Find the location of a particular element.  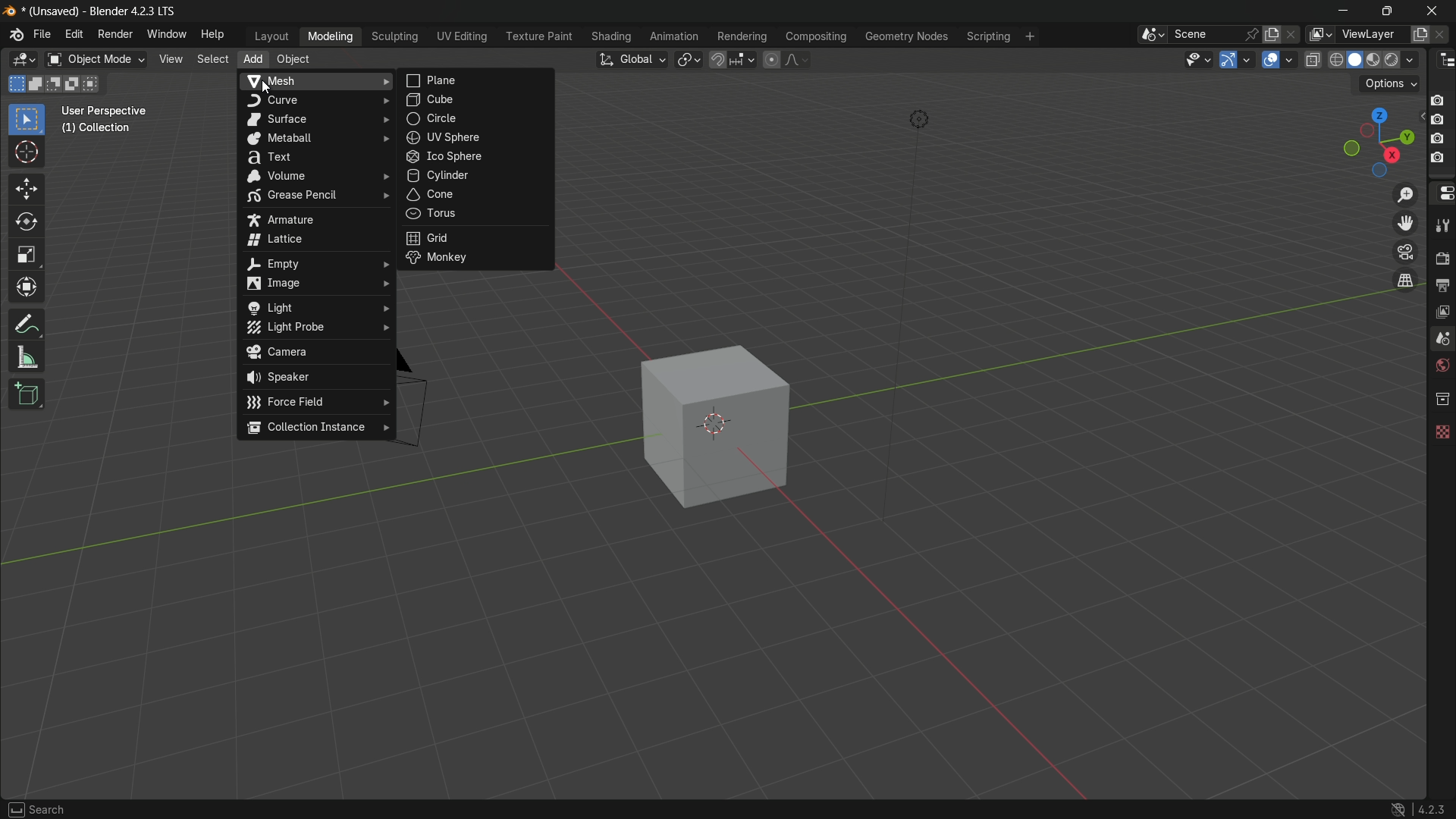

rotate and preset viewpoint is located at coordinates (1375, 140).